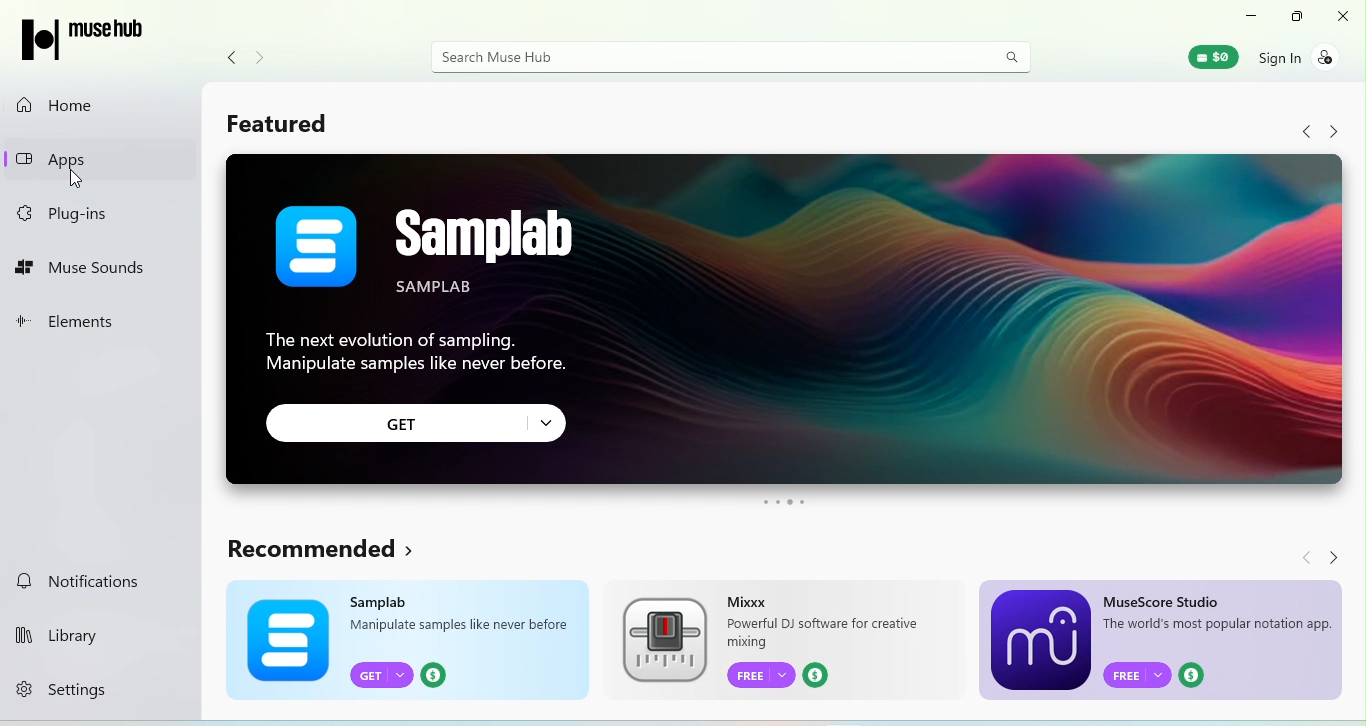 This screenshot has width=1366, height=726. What do you see at coordinates (533, 252) in the screenshot?
I see `SAMPLAB` at bounding box center [533, 252].